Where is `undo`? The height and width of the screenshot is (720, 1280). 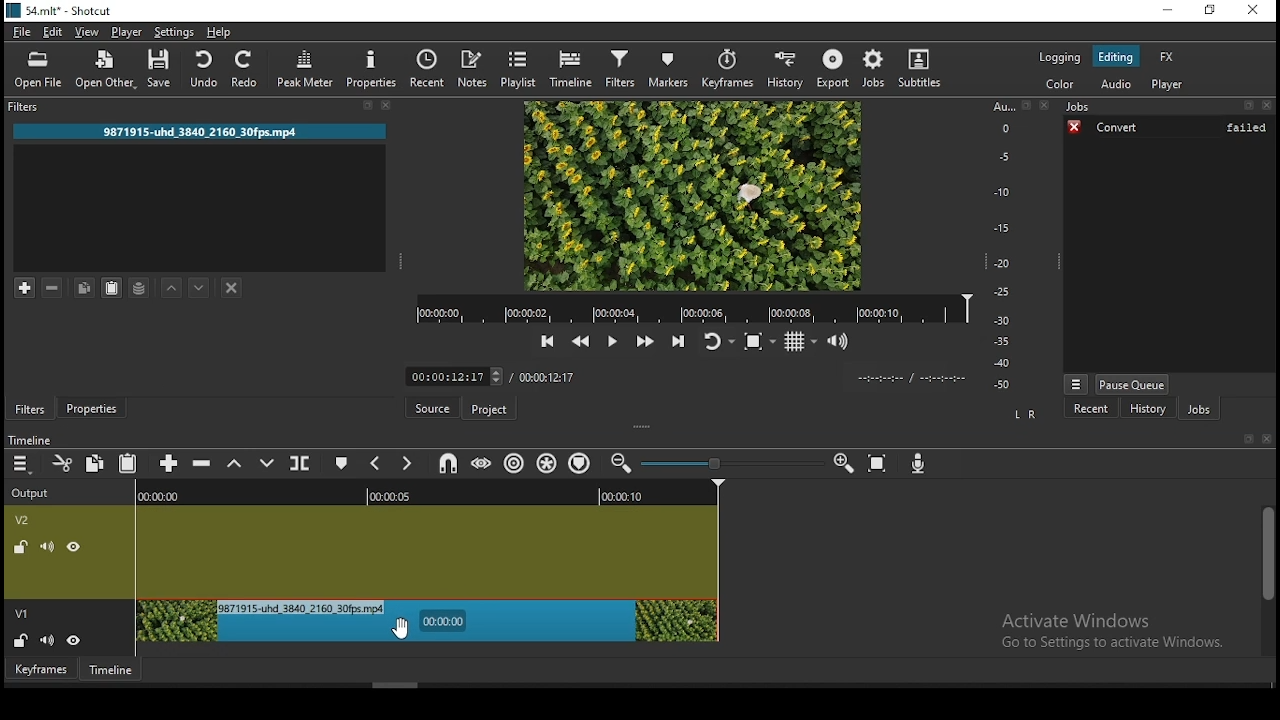 undo is located at coordinates (205, 70).